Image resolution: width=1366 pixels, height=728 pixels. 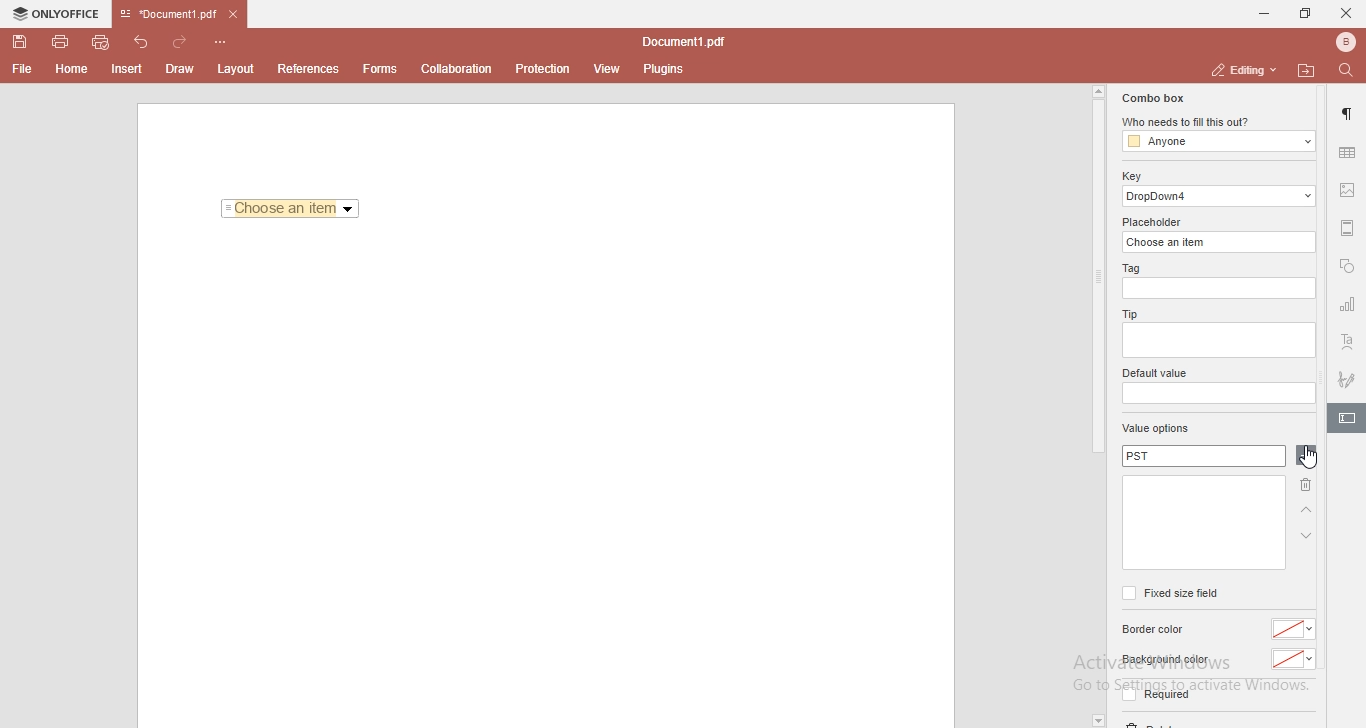 What do you see at coordinates (73, 72) in the screenshot?
I see `Home` at bounding box center [73, 72].